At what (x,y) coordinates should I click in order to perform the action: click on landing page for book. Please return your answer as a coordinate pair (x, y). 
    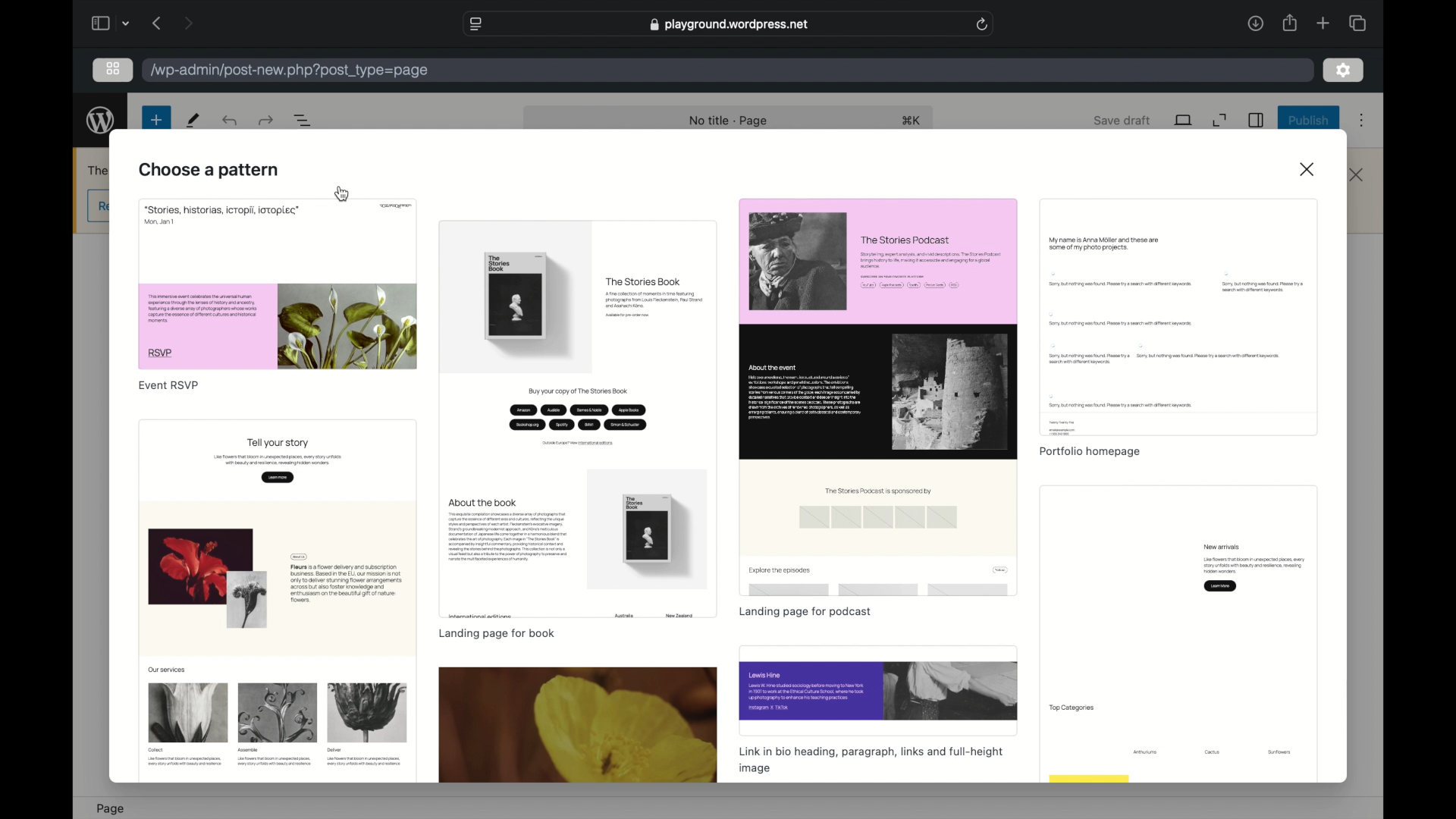
    Looking at the image, I should click on (497, 634).